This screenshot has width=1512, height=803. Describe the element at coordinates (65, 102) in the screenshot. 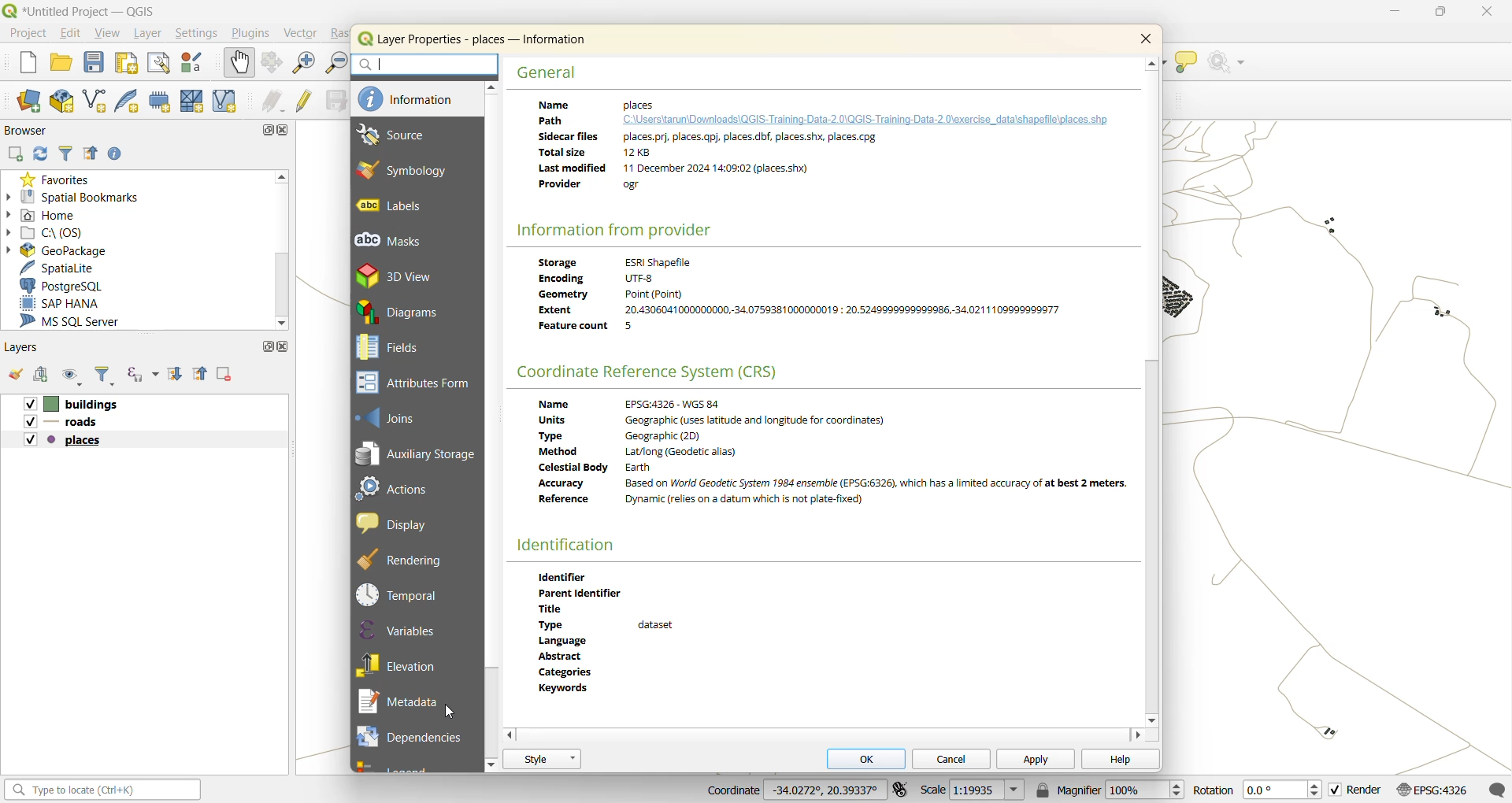

I see `new geopackage` at that location.